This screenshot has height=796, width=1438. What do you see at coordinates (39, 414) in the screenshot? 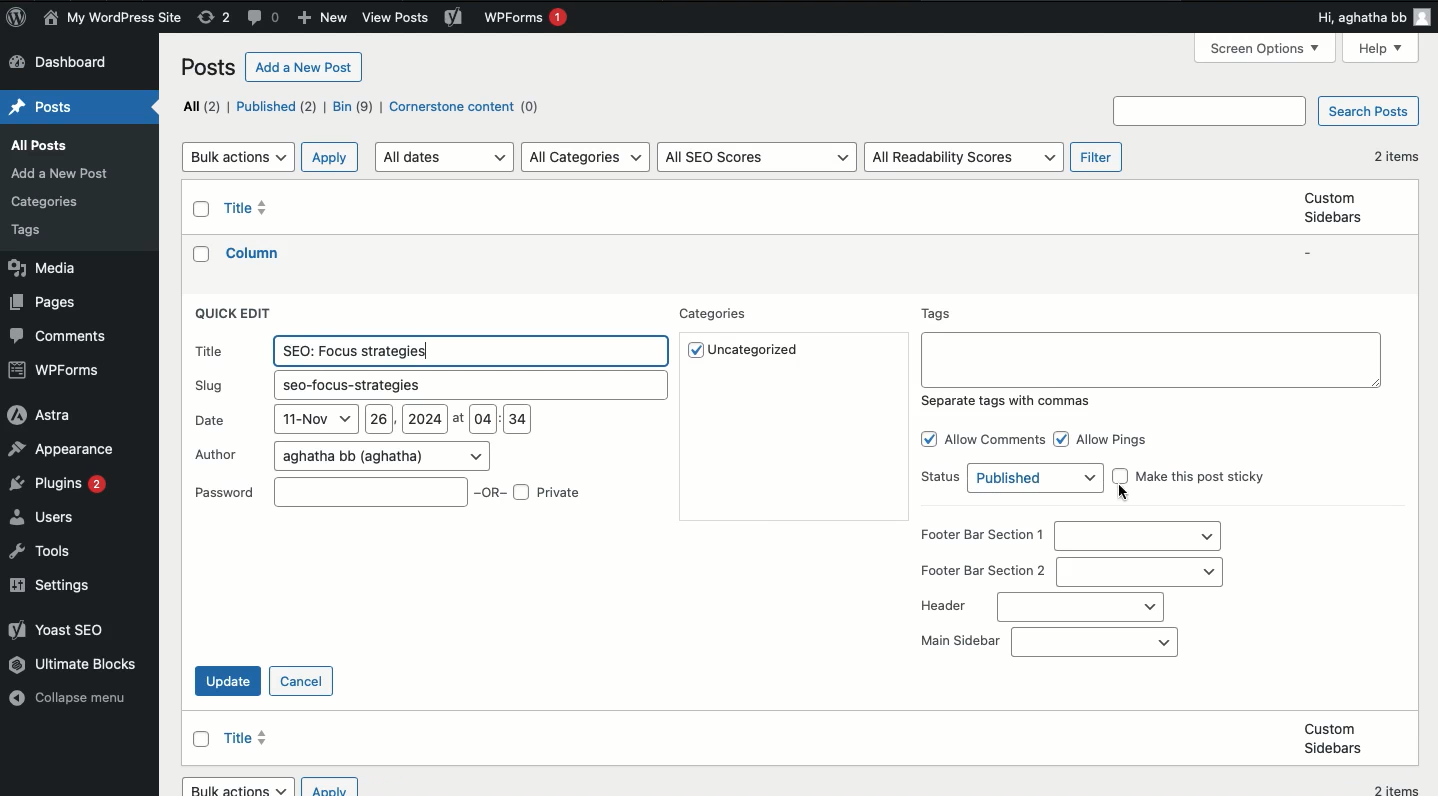
I see `Astra` at bounding box center [39, 414].